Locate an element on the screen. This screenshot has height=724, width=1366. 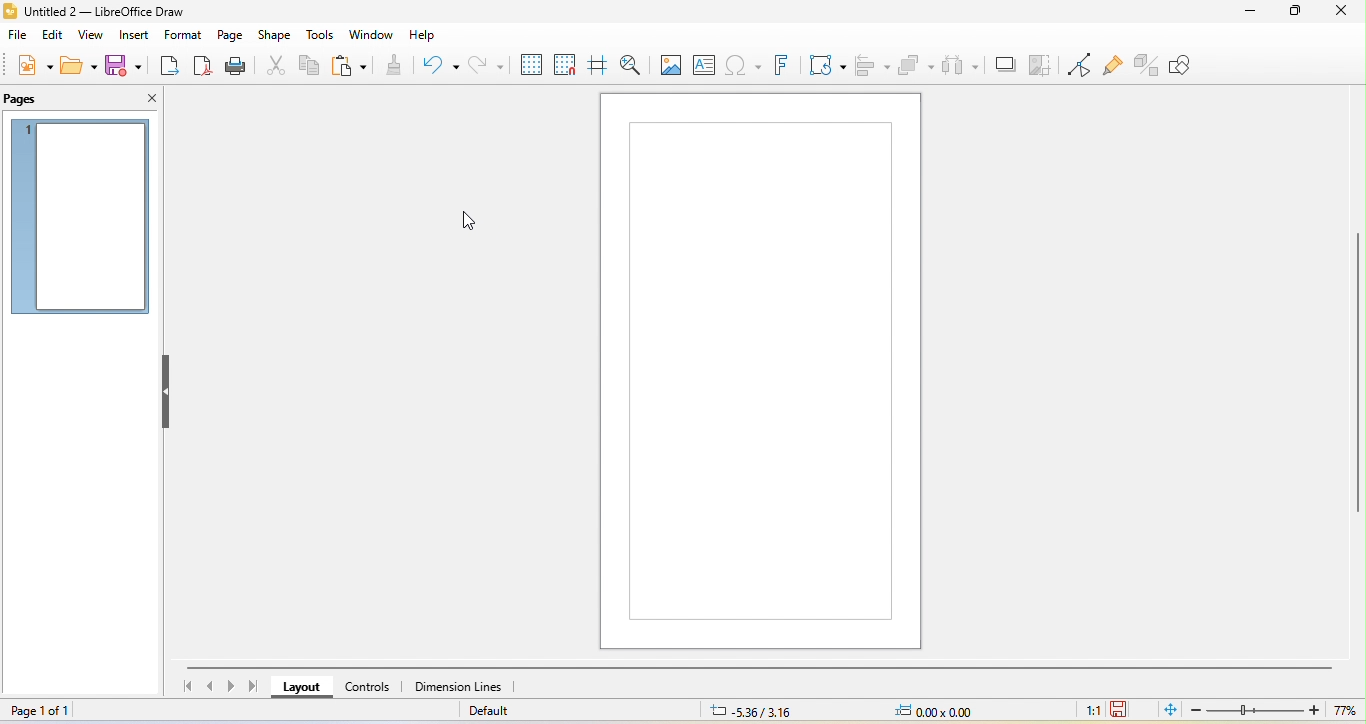
default is located at coordinates (501, 713).